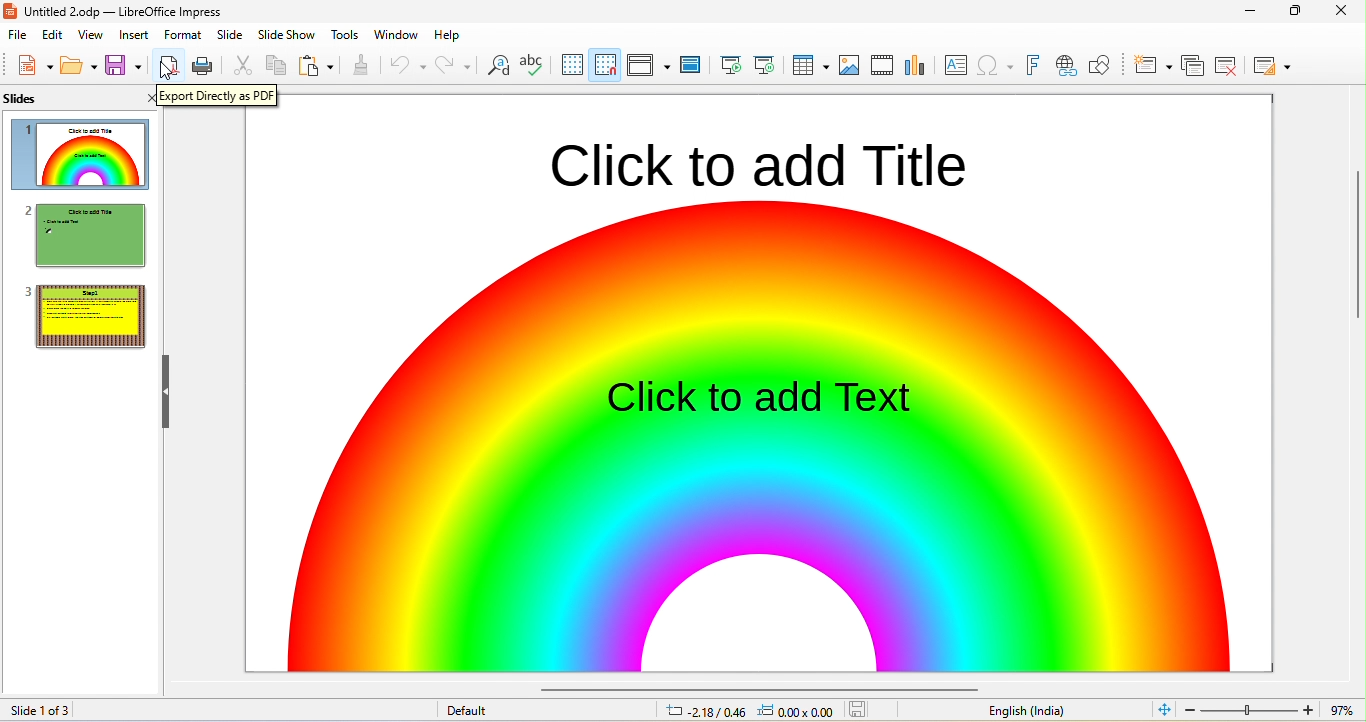  I want to click on default, so click(467, 711).